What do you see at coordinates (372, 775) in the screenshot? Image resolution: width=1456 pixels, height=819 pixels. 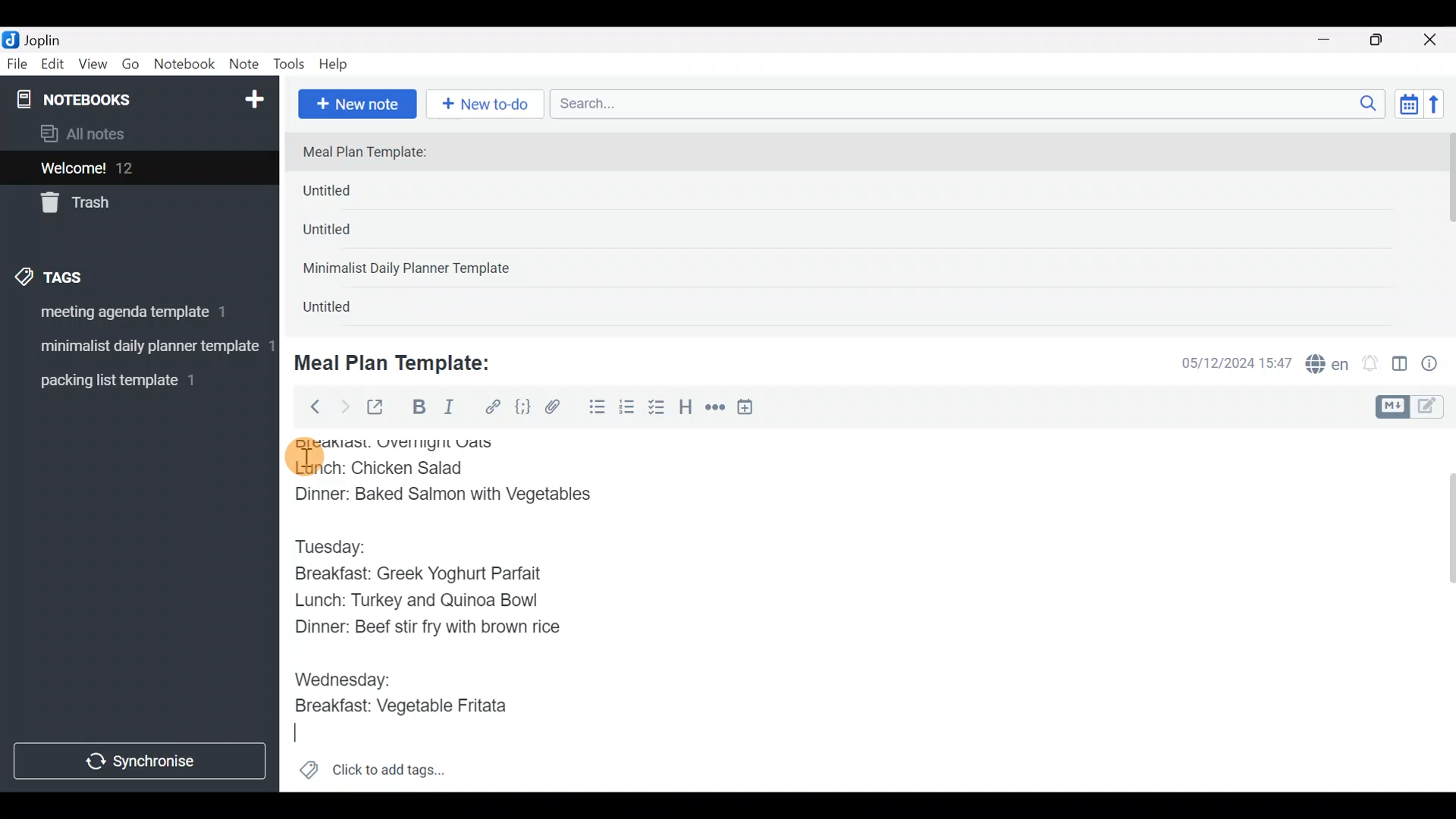 I see `Click to add tags` at bounding box center [372, 775].